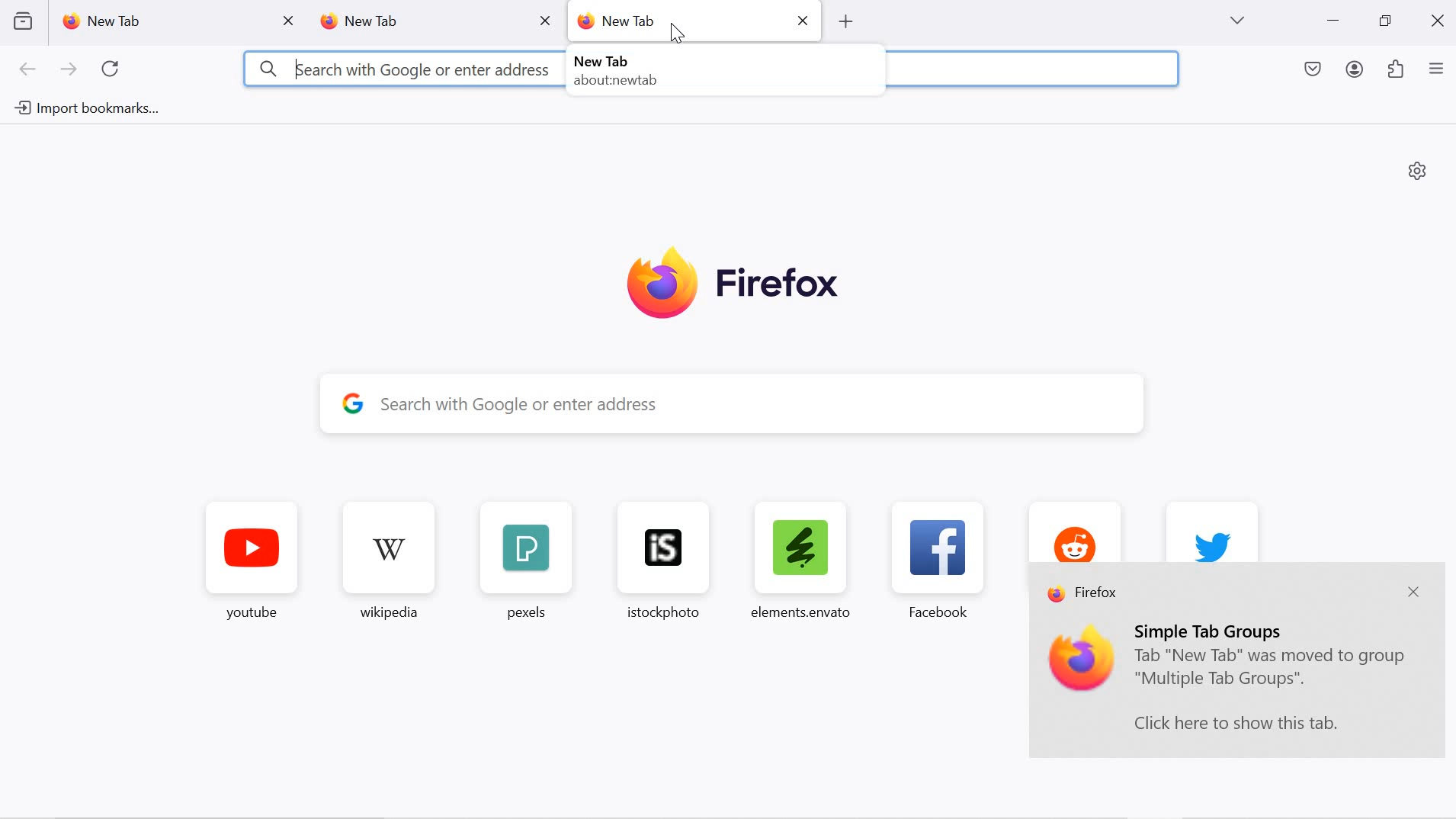 The height and width of the screenshot is (819, 1456). What do you see at coordinates (1212, 531) in the screenshot?
I see `twitter favorite` at bounding box center [1212, 531].